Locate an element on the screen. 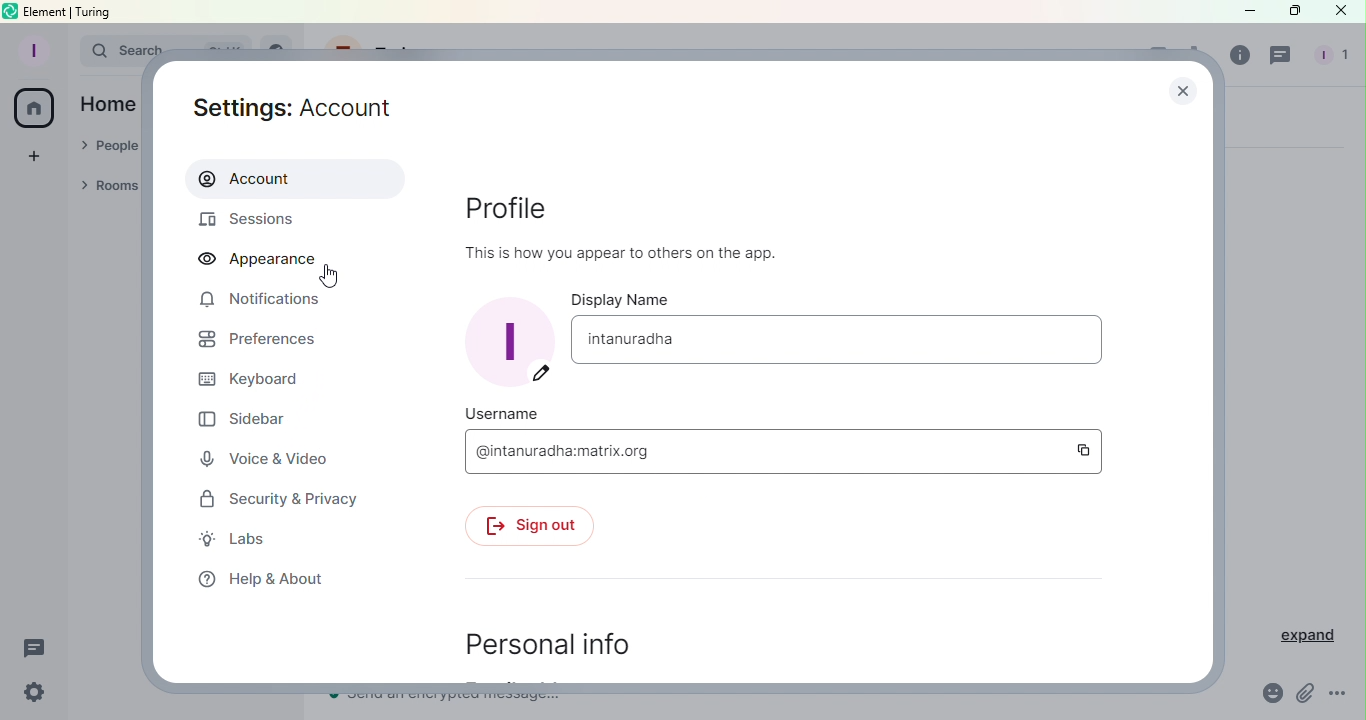  Rooms is located at coordinates (112, 188).